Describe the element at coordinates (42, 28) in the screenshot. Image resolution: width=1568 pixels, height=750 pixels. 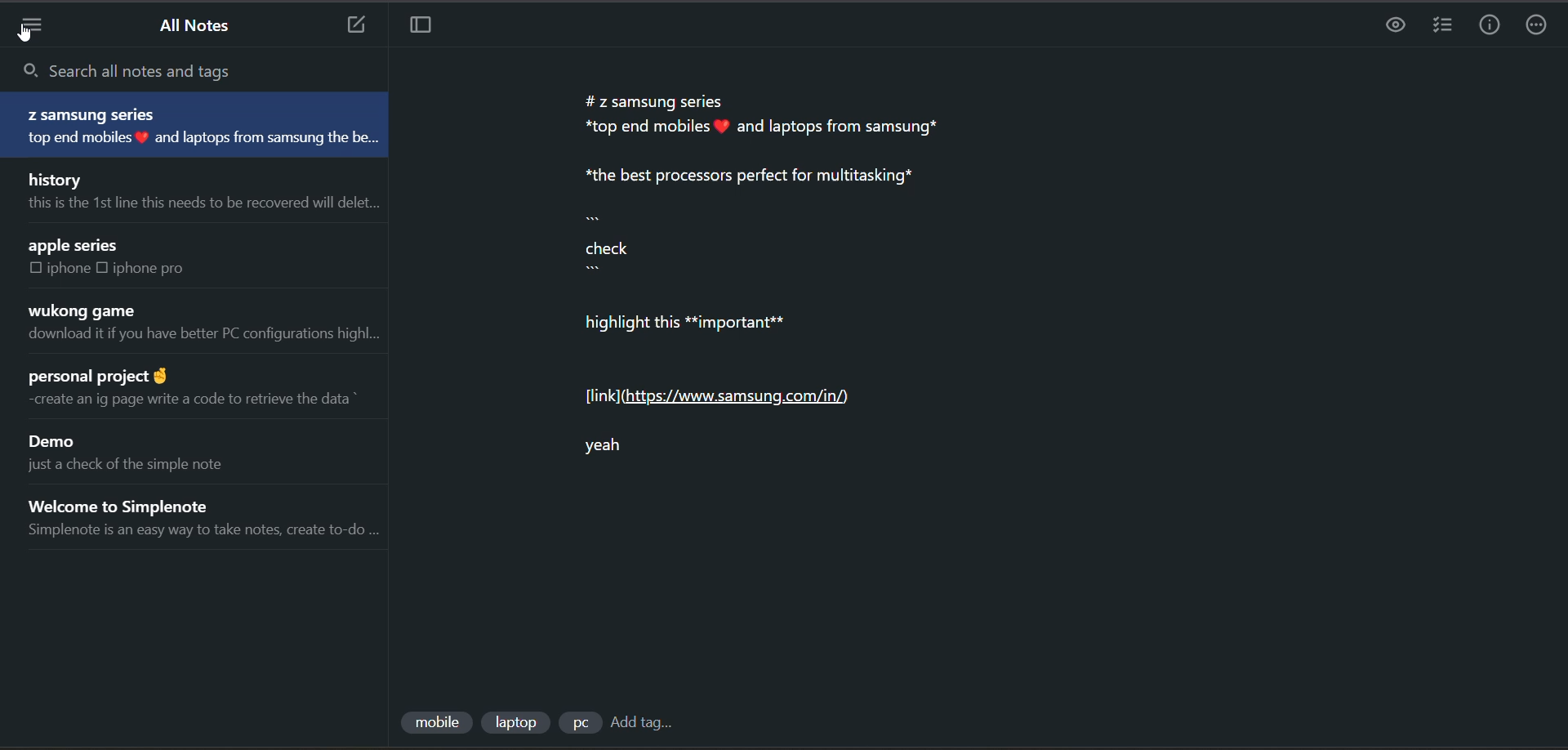
I see `menu` at that location.